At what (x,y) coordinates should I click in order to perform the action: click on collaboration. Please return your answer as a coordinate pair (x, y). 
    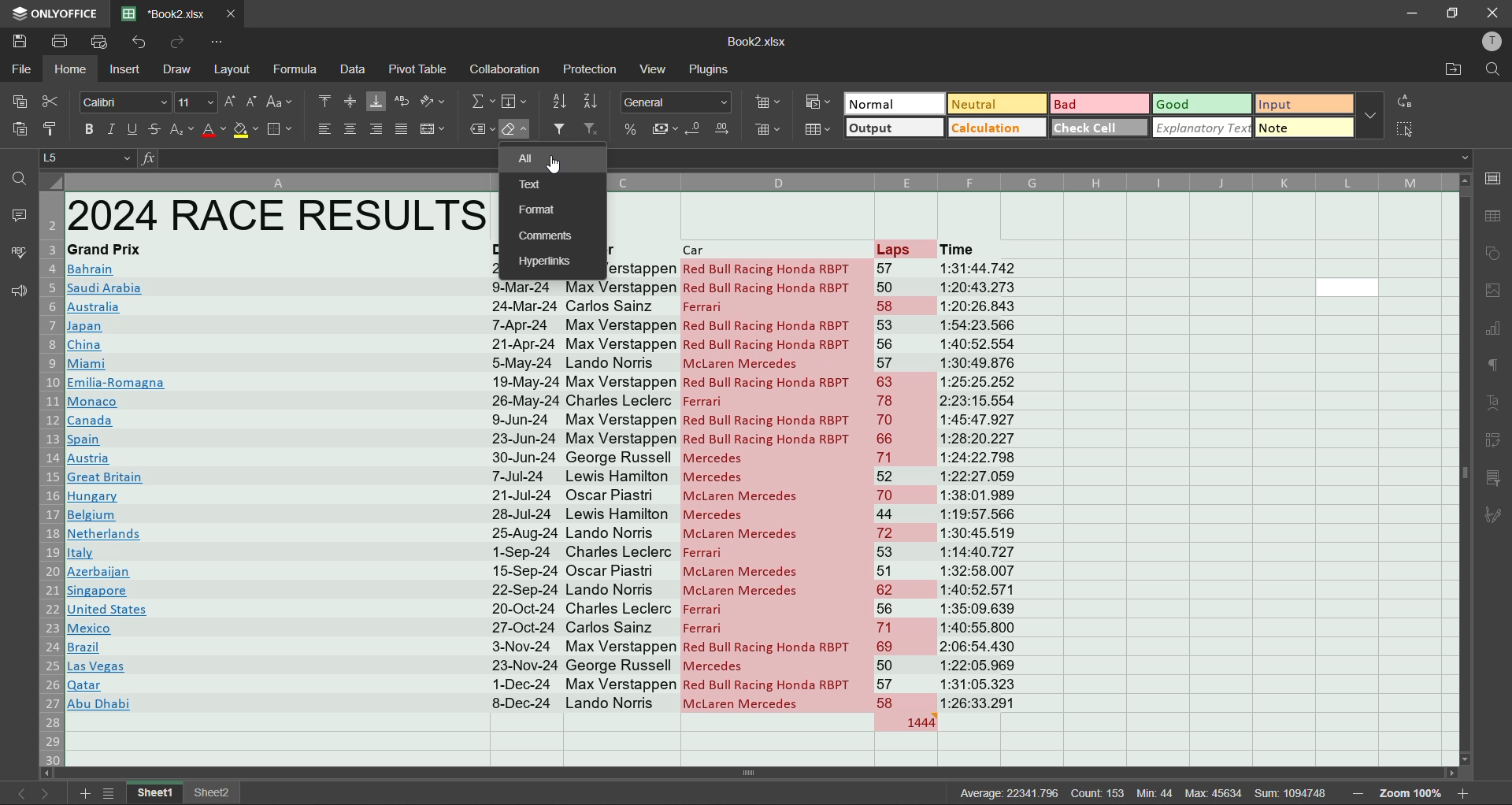
    Looking at the image, I should click on (506, 70).